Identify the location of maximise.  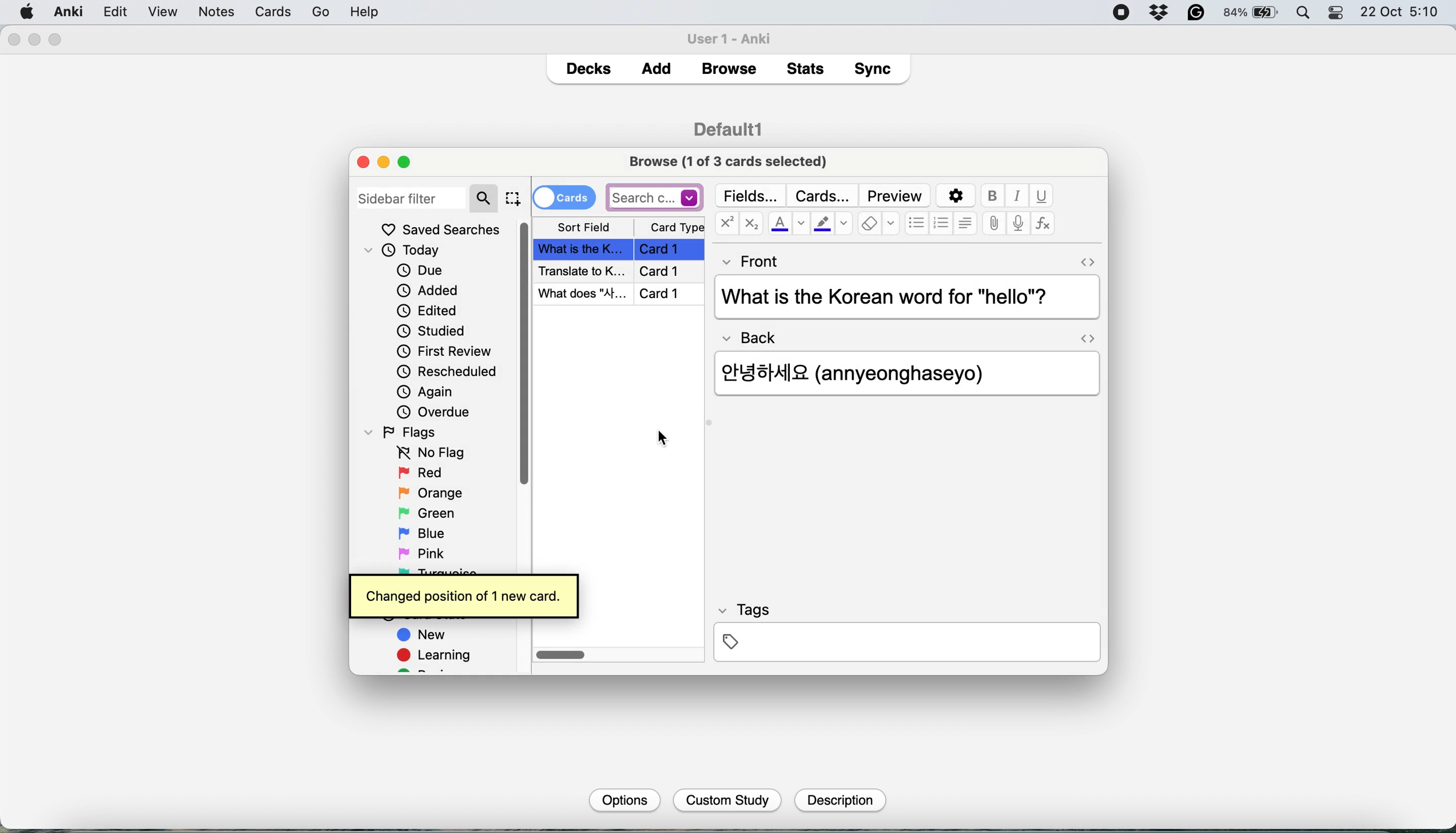
(56, 40).